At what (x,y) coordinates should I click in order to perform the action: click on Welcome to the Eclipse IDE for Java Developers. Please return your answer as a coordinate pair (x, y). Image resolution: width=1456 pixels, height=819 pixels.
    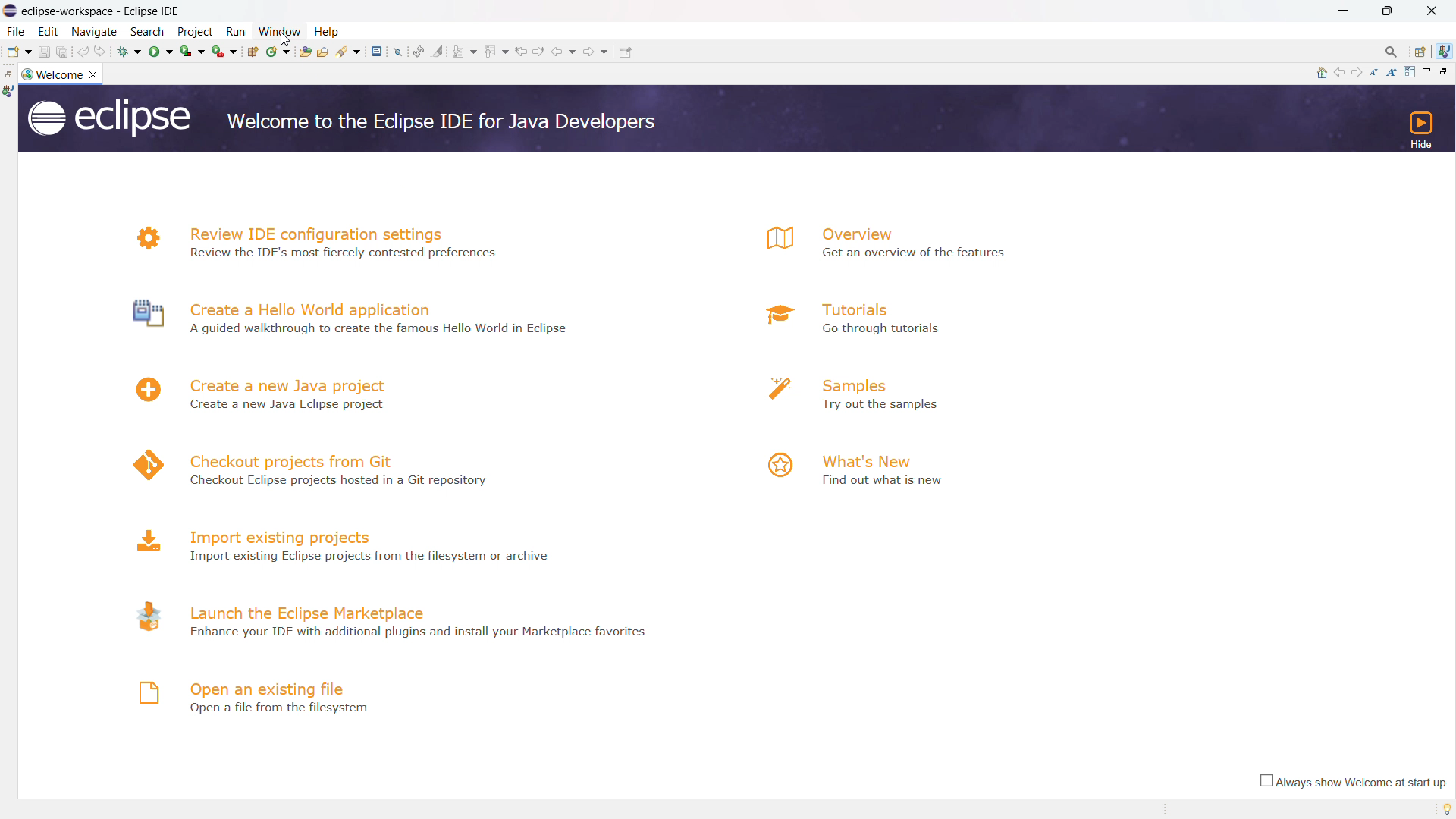
    Looking at the image, I should click on (448, 125).